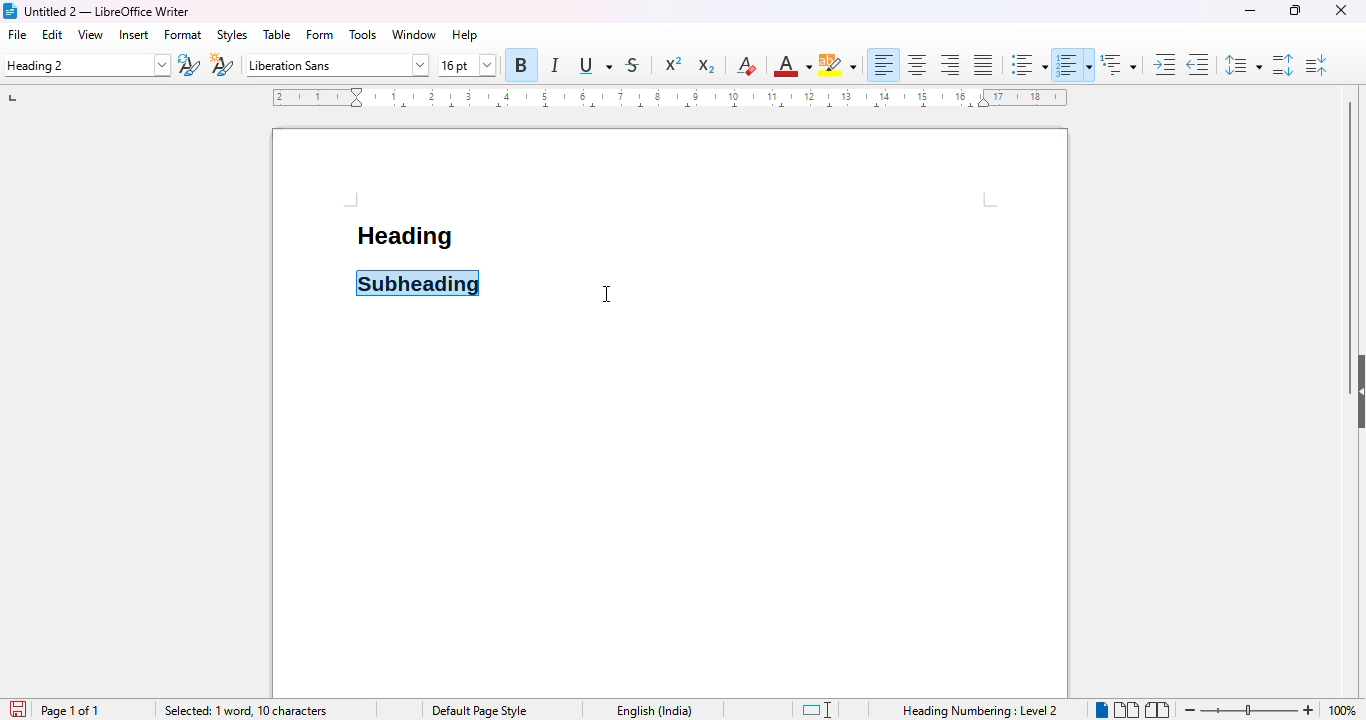 This screenshot has width=1366, height=720. Describe the element at coordinates (231, 35) in the screenshot. I see `styles` at that location.